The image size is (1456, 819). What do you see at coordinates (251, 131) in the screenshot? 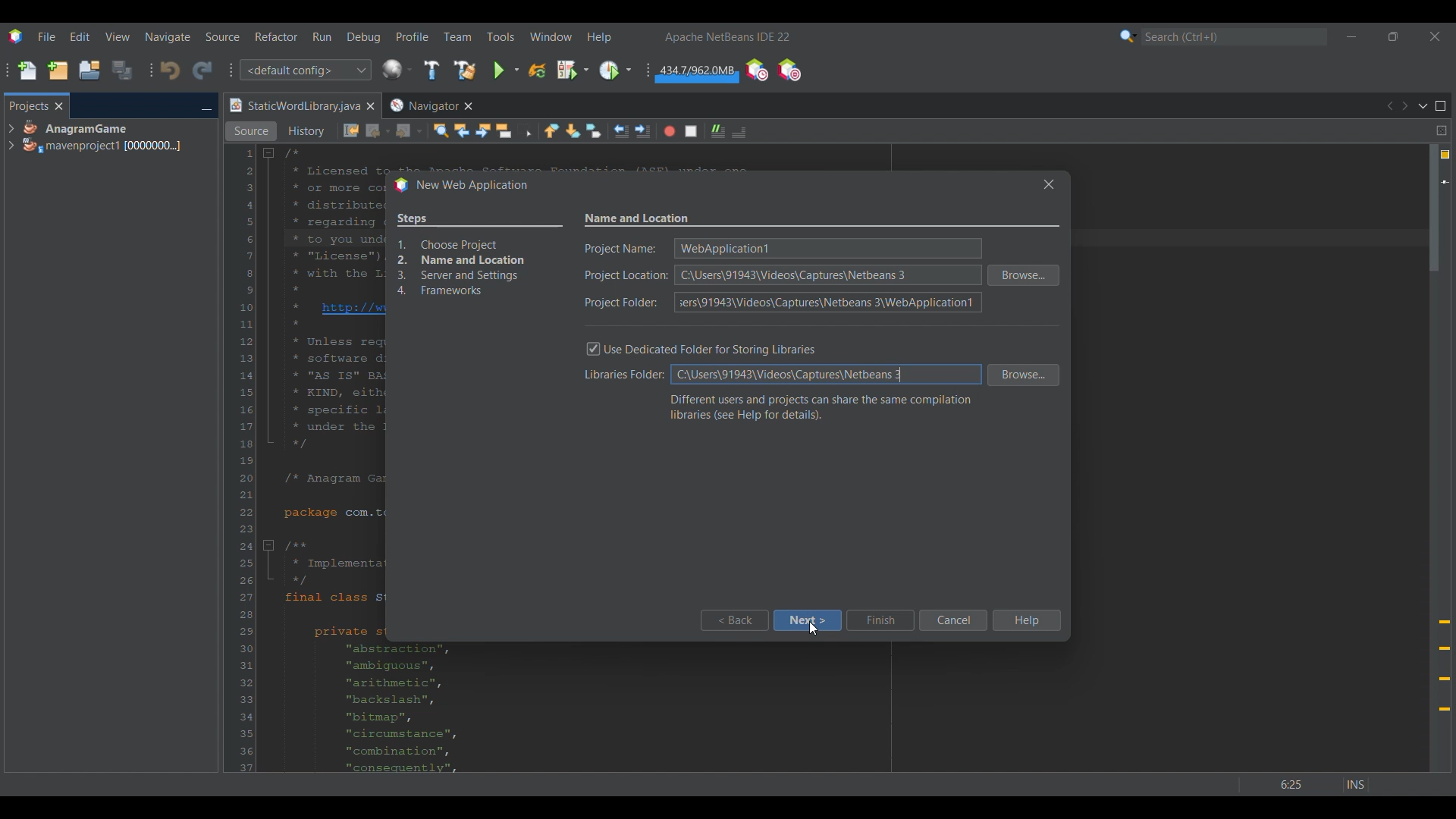
I see `Source view` at bounding box center [251, 131].